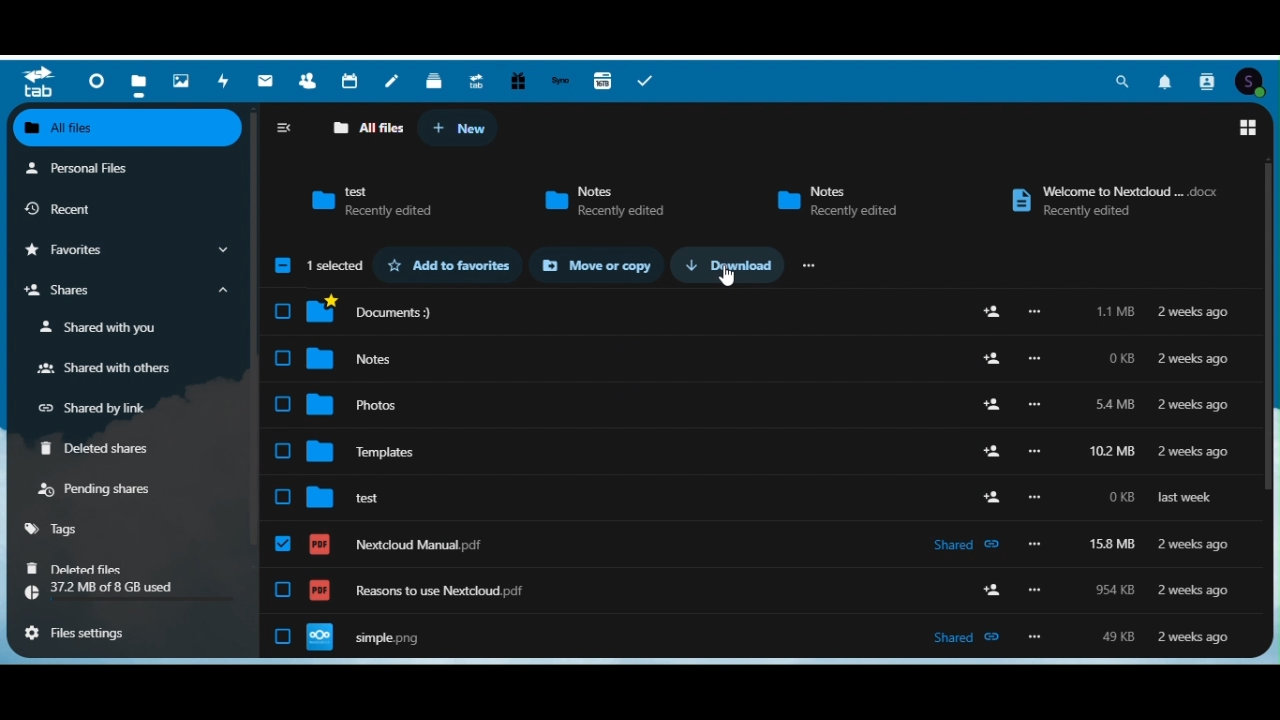 This screenshot has width=1280, height=720. Describe the element at coordinates (759, 501) in the screenshot. I see `text` at that location.